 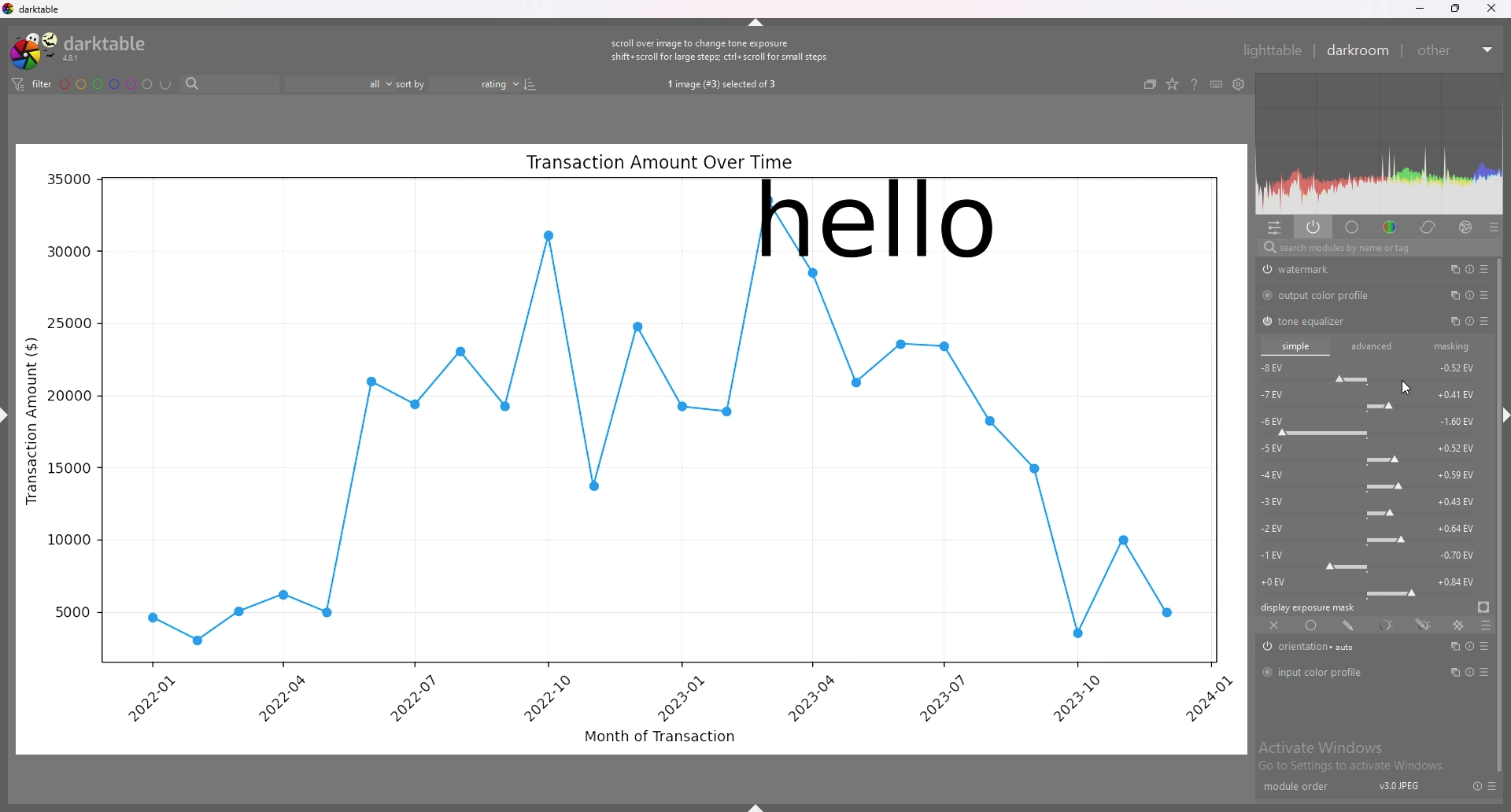 I want to click on sort by, so click(x=412, y=84).